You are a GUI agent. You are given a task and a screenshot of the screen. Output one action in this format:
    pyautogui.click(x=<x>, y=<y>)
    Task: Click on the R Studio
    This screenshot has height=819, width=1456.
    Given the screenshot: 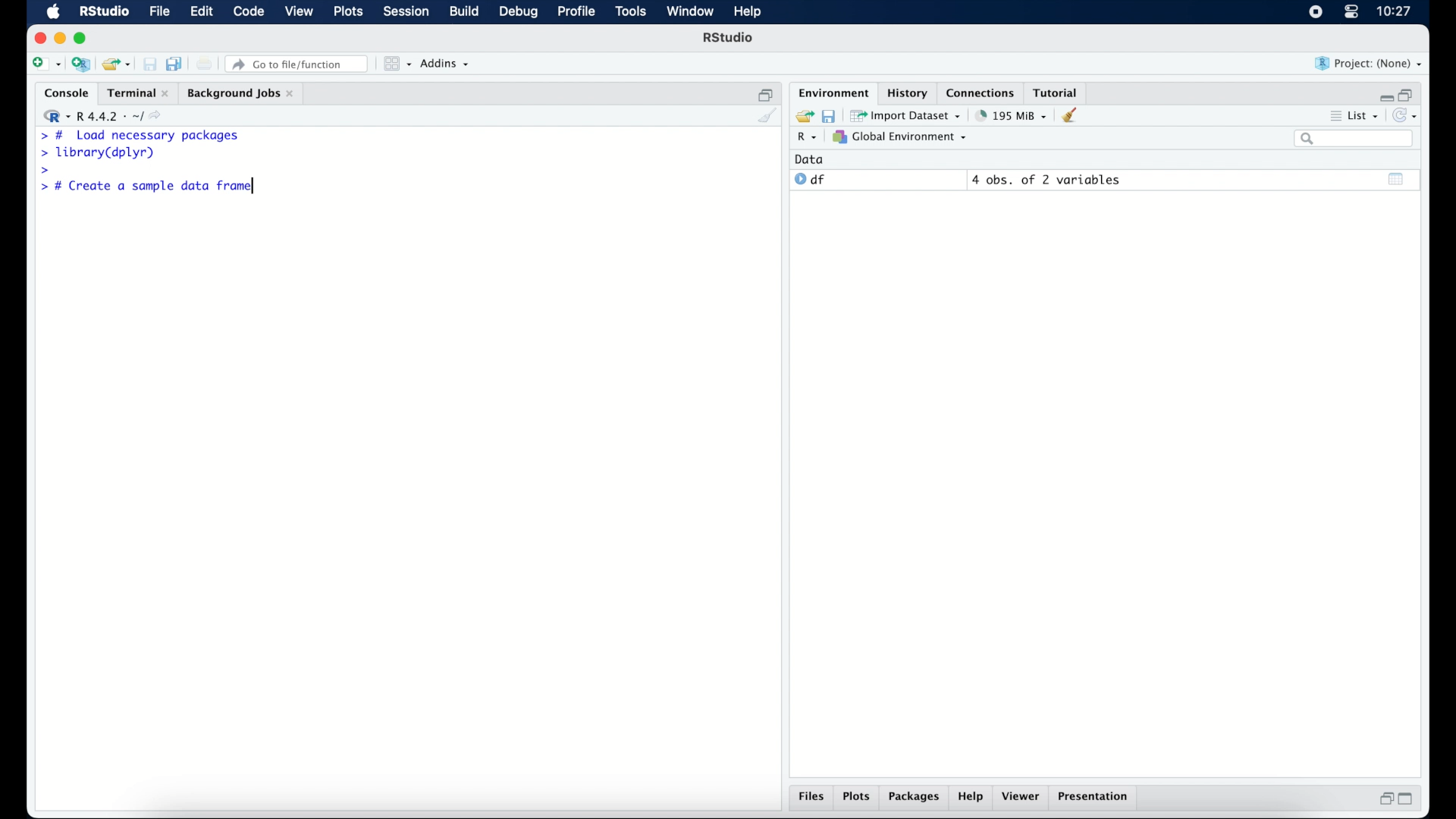 What is the action you would take?
    pyautogui.click(x=104, y=12)
    